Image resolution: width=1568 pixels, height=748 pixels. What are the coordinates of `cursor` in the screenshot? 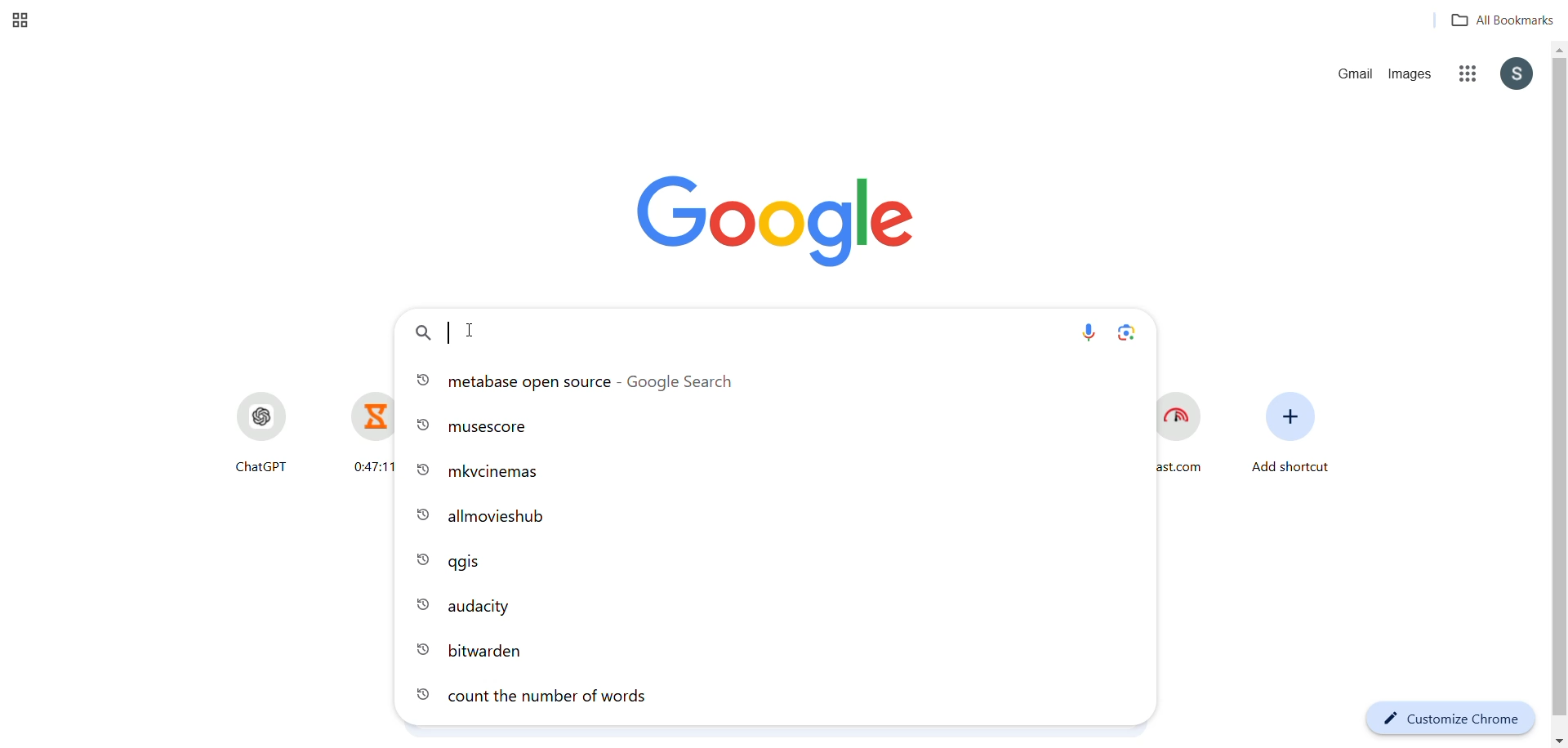 It's located at (474, 329).